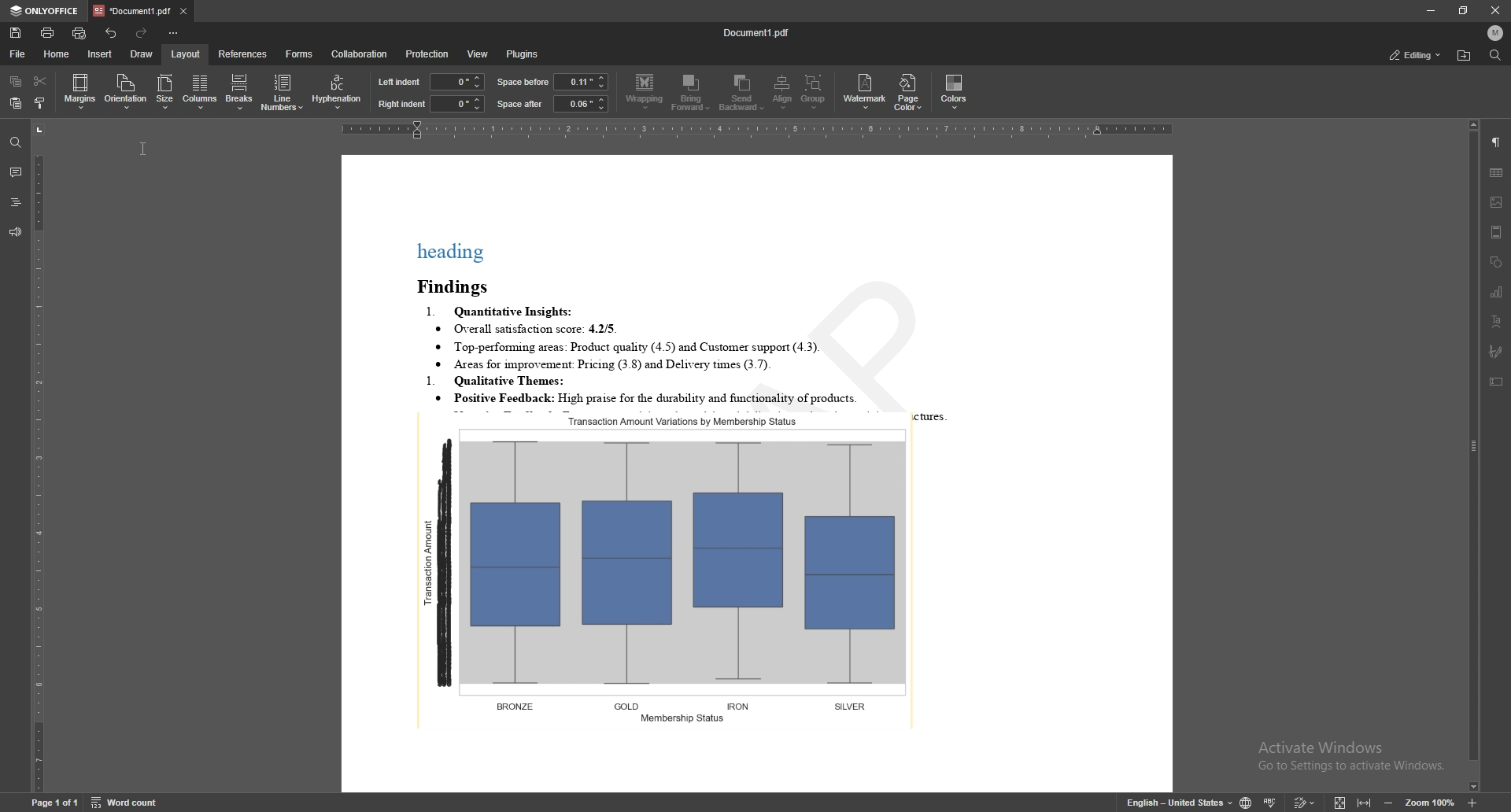 The image size is (1511, 812). What do you see at coordinates (1430, 10) in the screenshot?
I see `minimize` at bounding box center [1430, 10].